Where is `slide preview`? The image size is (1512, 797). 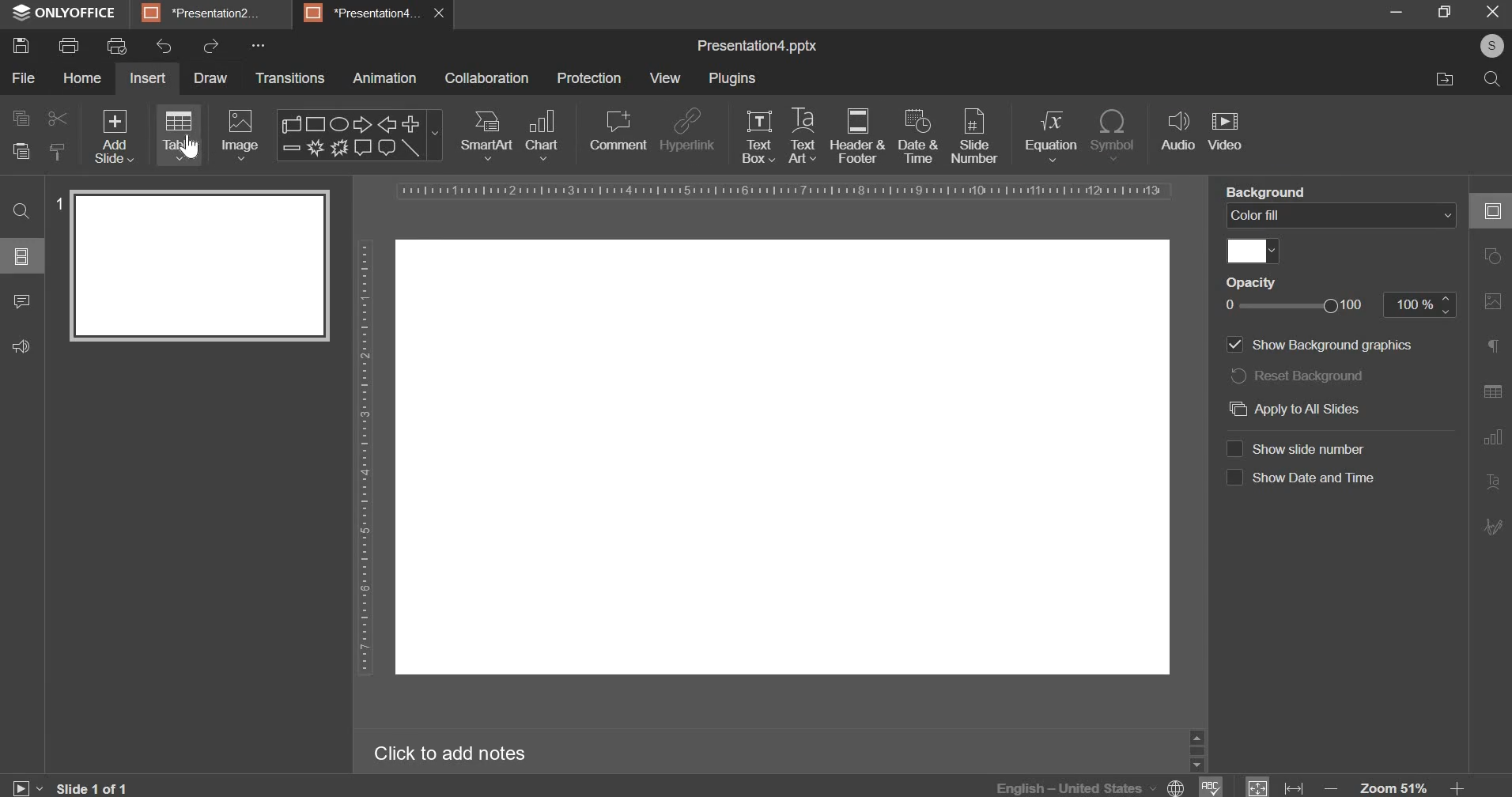
slide preview is located at coordinates (203, 267).